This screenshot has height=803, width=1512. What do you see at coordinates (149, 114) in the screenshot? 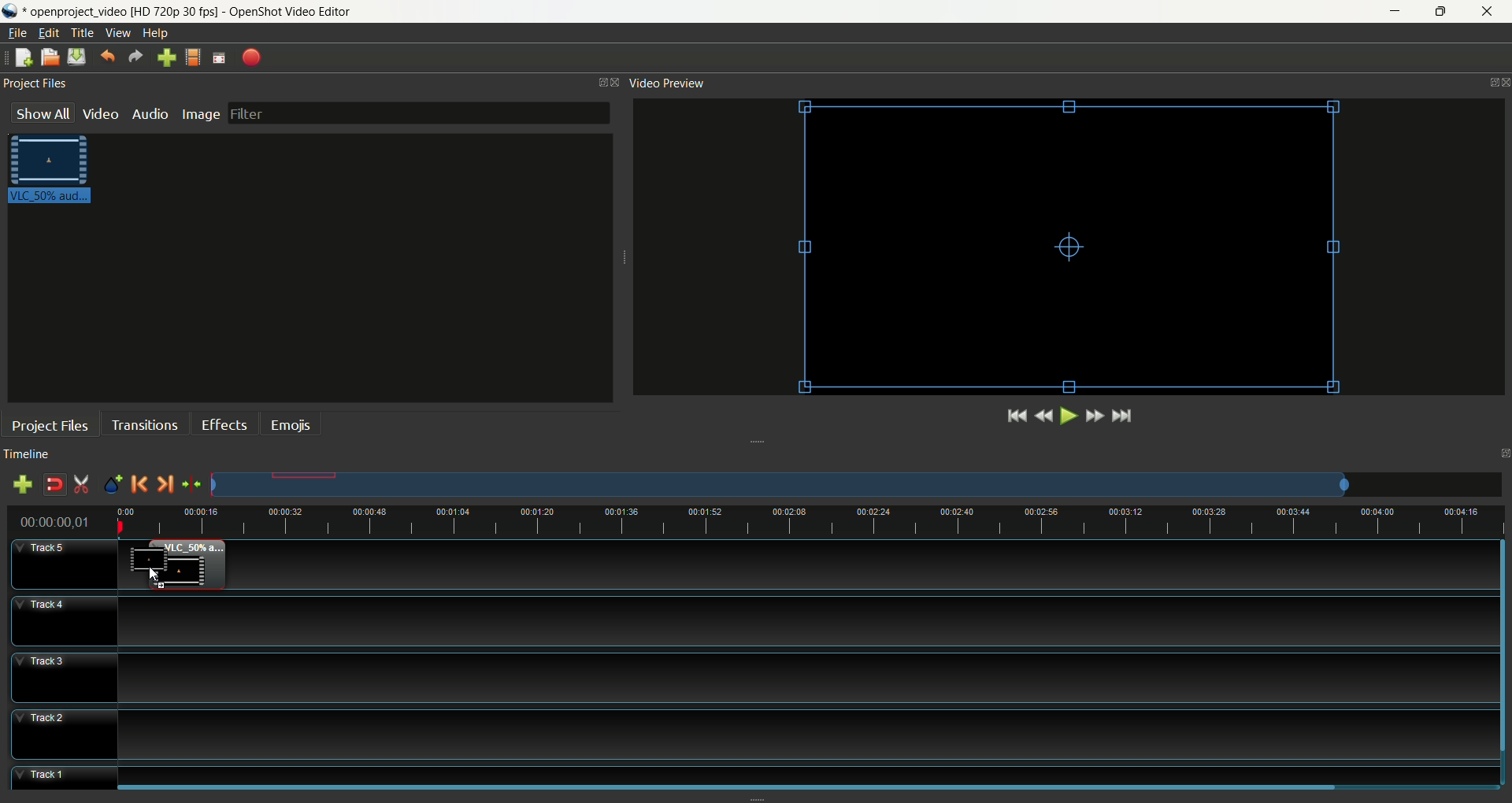
I see `audio` at bounding box center [149, 114].